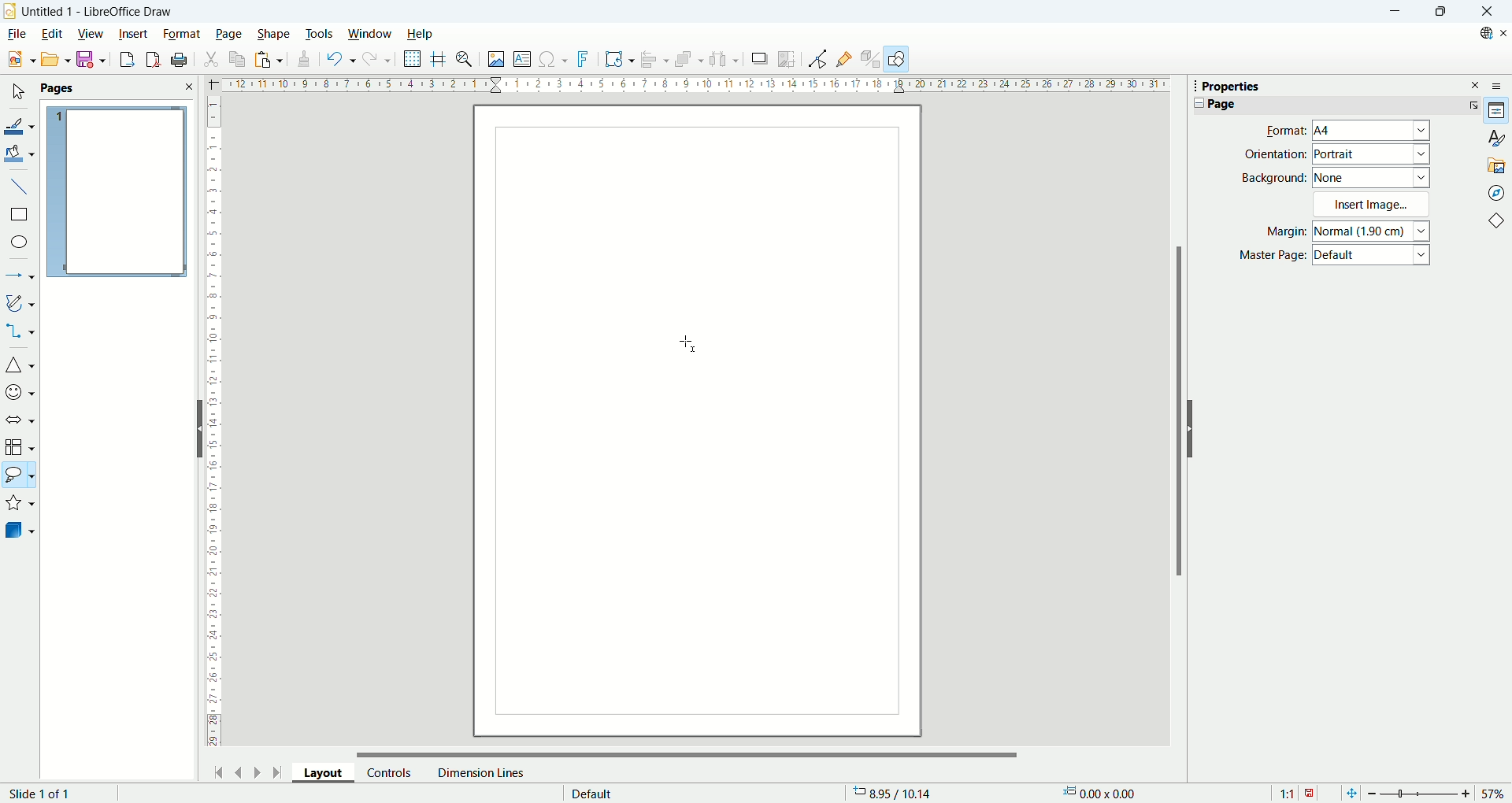 The width and height of the screenshot is (1512, 803). I want to click on logo, so click(10, 10).